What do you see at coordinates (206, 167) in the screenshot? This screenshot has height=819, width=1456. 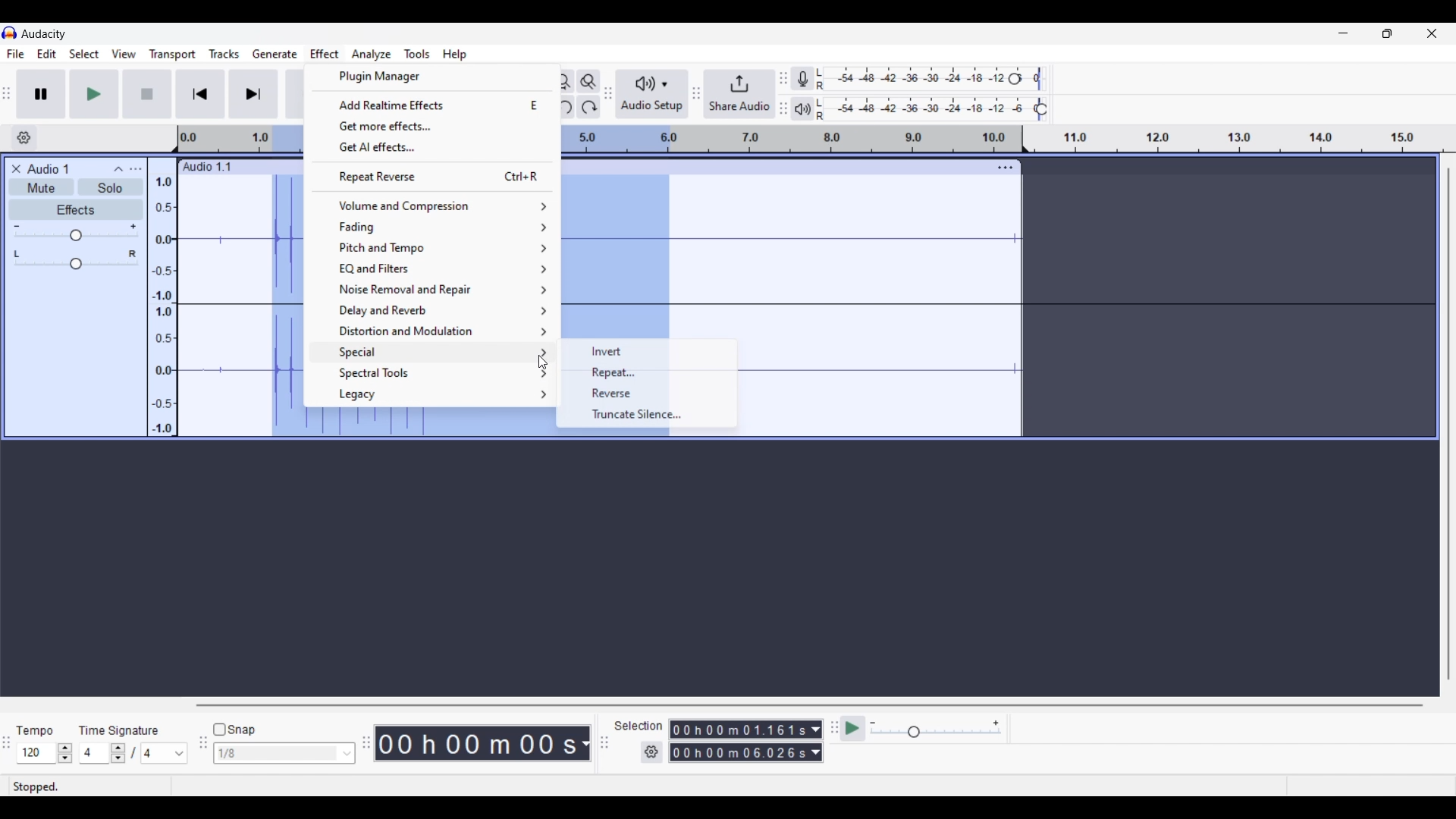 I see `Name of recorded audio` at bounding box center [206, 167].